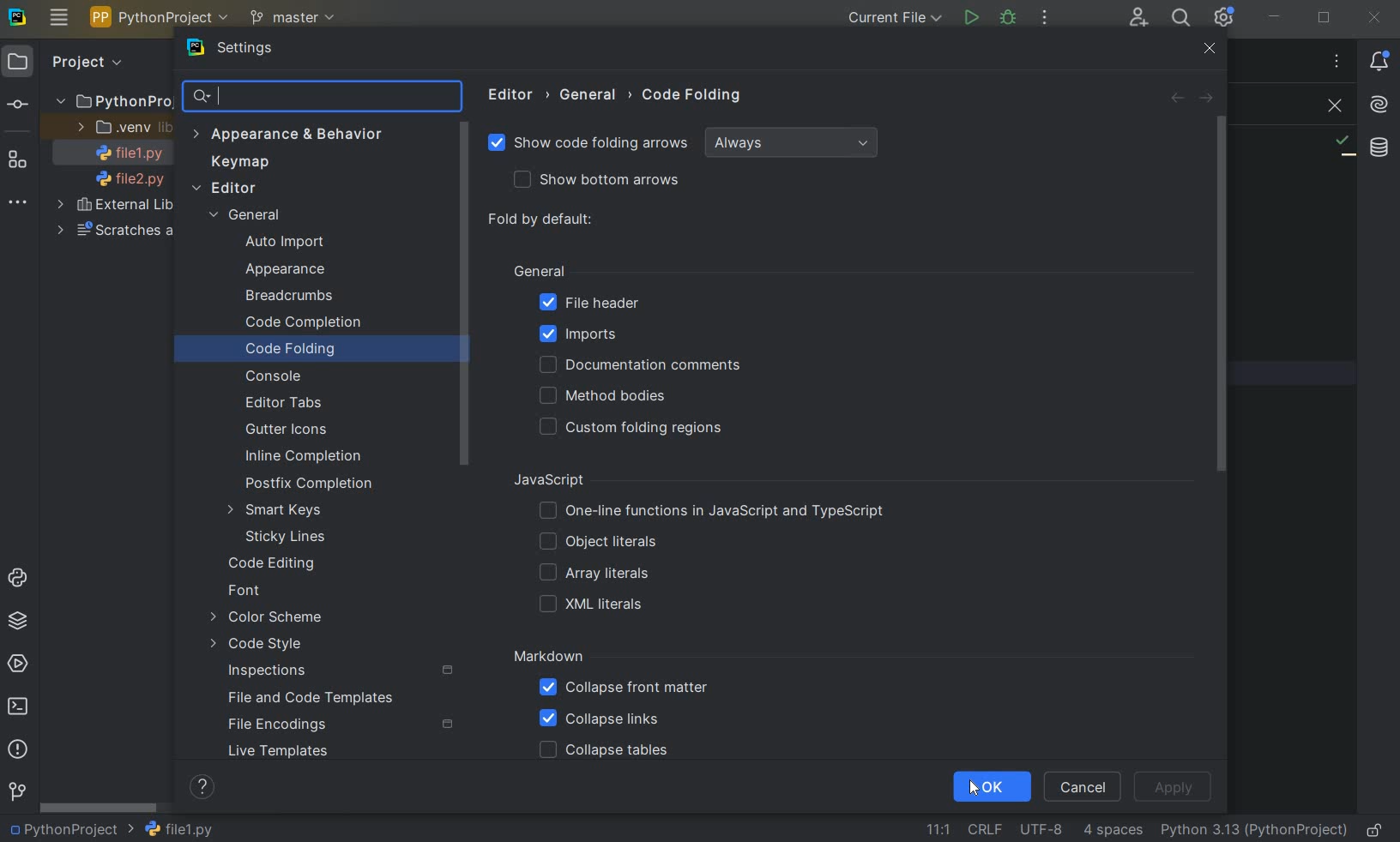 This screenshot has width=1400, height=842. Describe the element at coordinates (17, 791) in the screenshot. I see `GIT` at that location.